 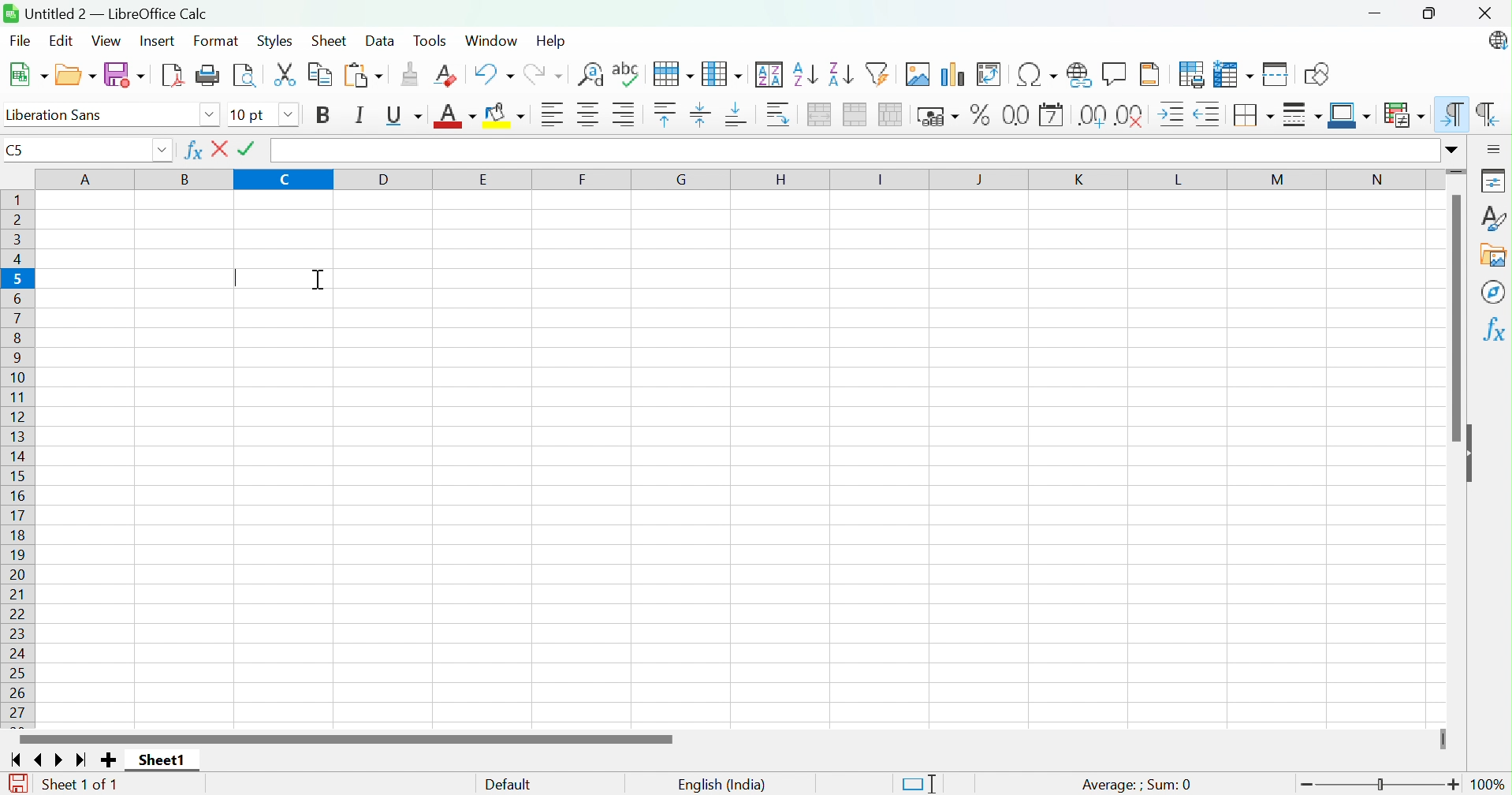 What do you see at coordinates (555, 114) in the screenshot?
I see `Align left` at bounding box center [555, 114].